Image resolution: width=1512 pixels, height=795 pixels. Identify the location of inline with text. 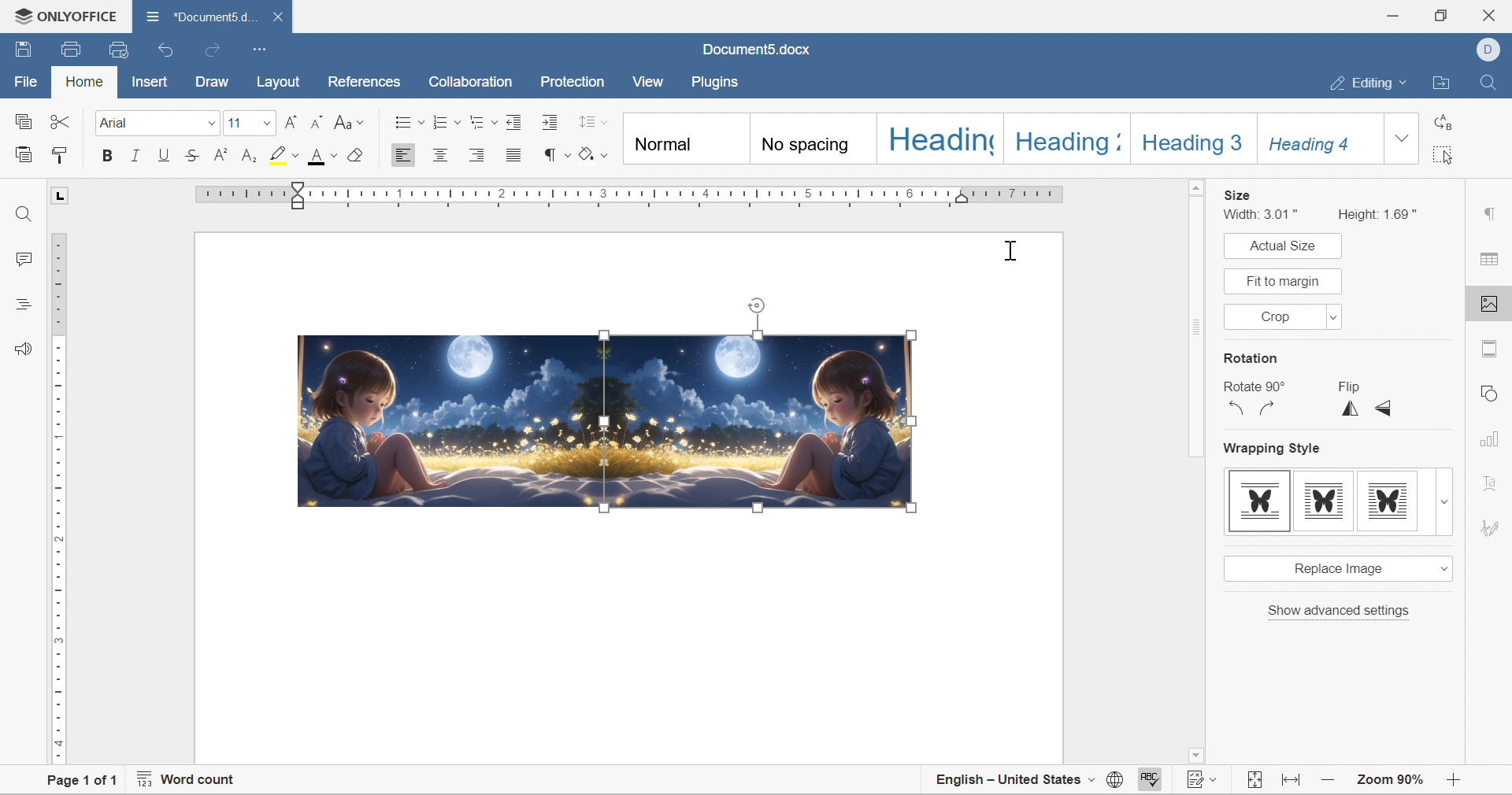
(1261, 501).